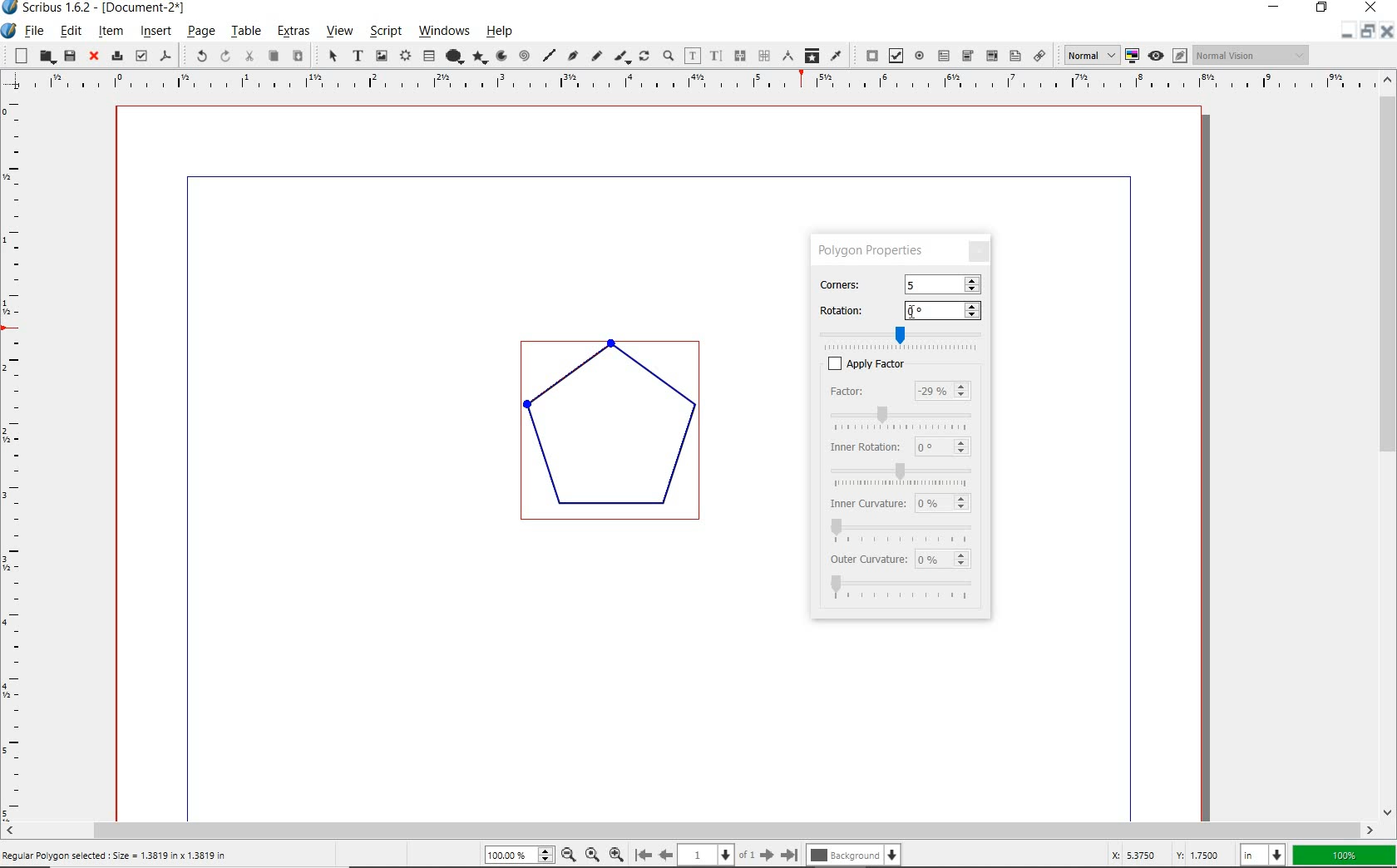  Describe the element at coordinates (622, 57) in the screenshot. I see `calligraphic line` at that location.